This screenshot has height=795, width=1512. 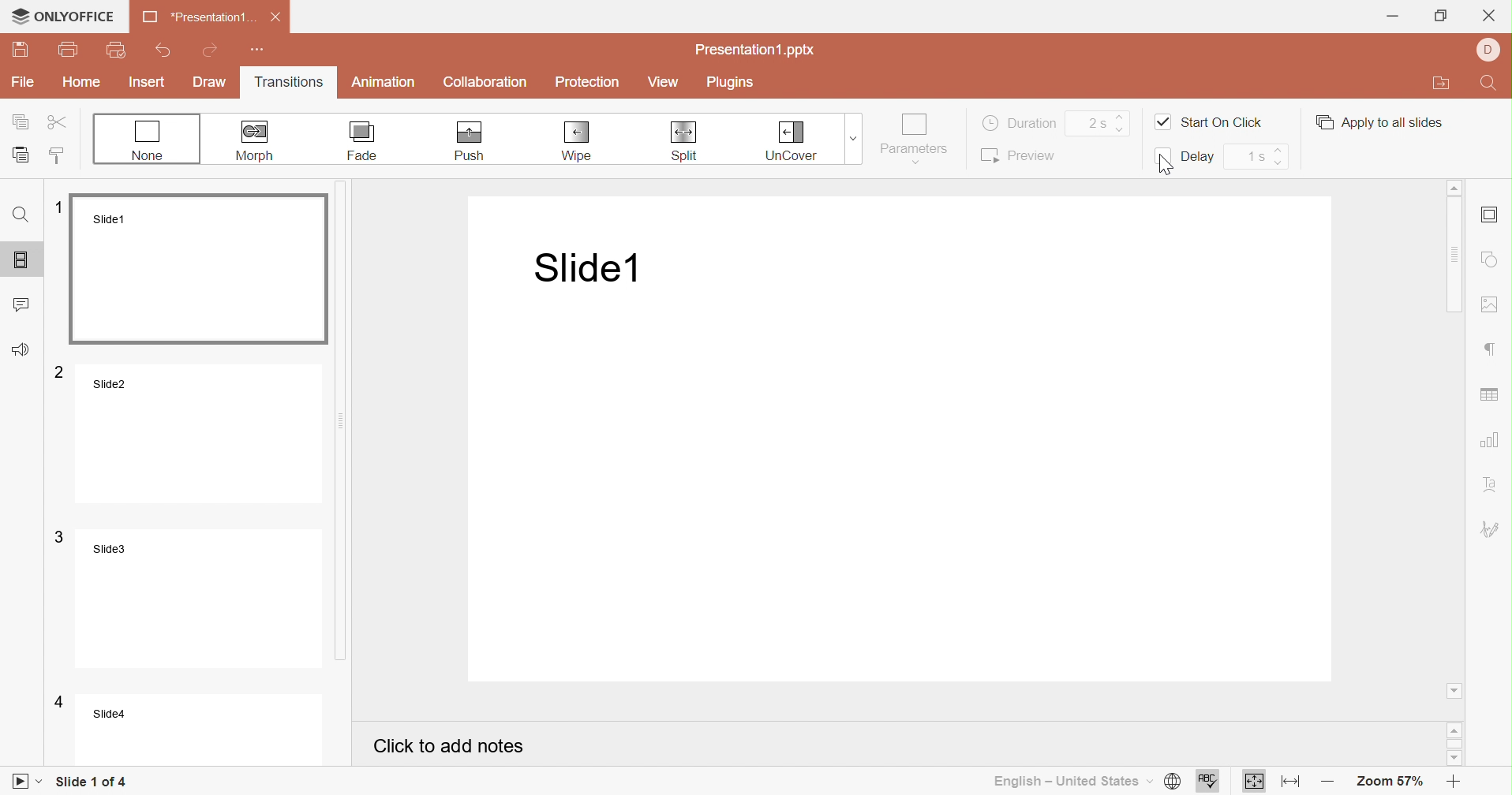 What do you see at coordinates (23, 155) in the screenshot?
I see `Paste` at bounding box center [23, 155].